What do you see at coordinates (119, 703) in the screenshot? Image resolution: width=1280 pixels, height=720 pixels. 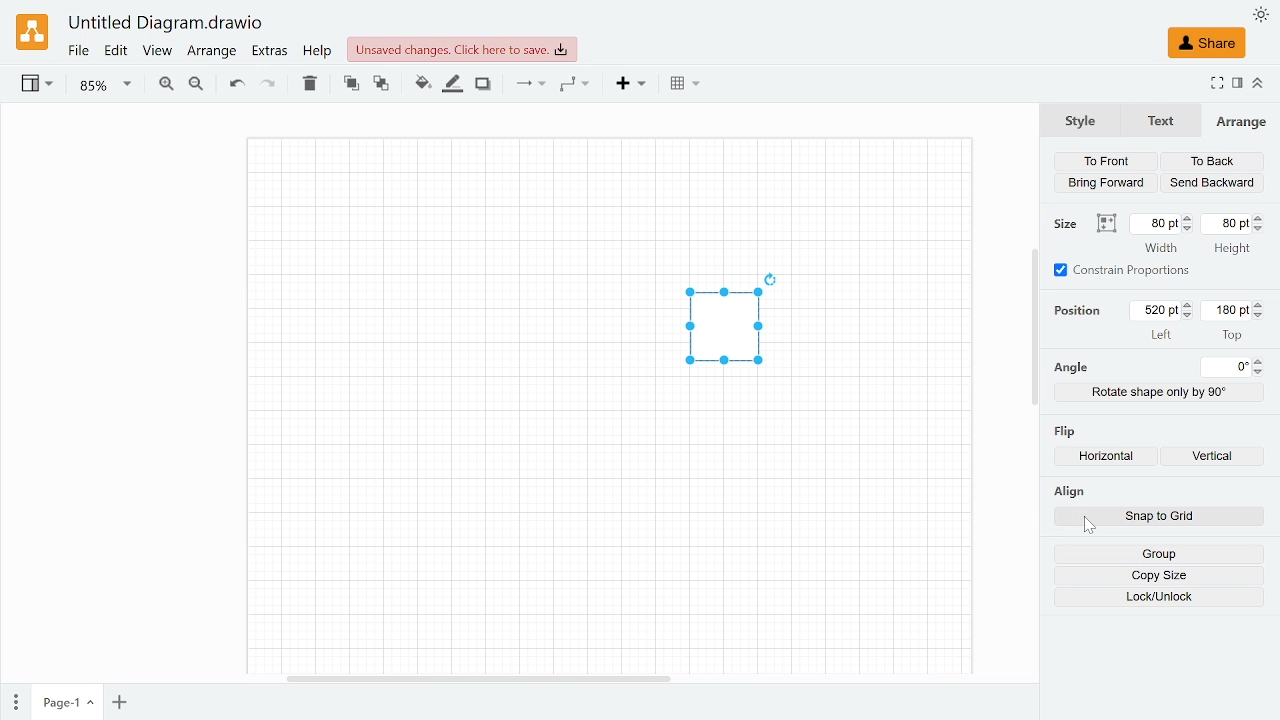 I see `Add page` at bounding box center [119, 703].